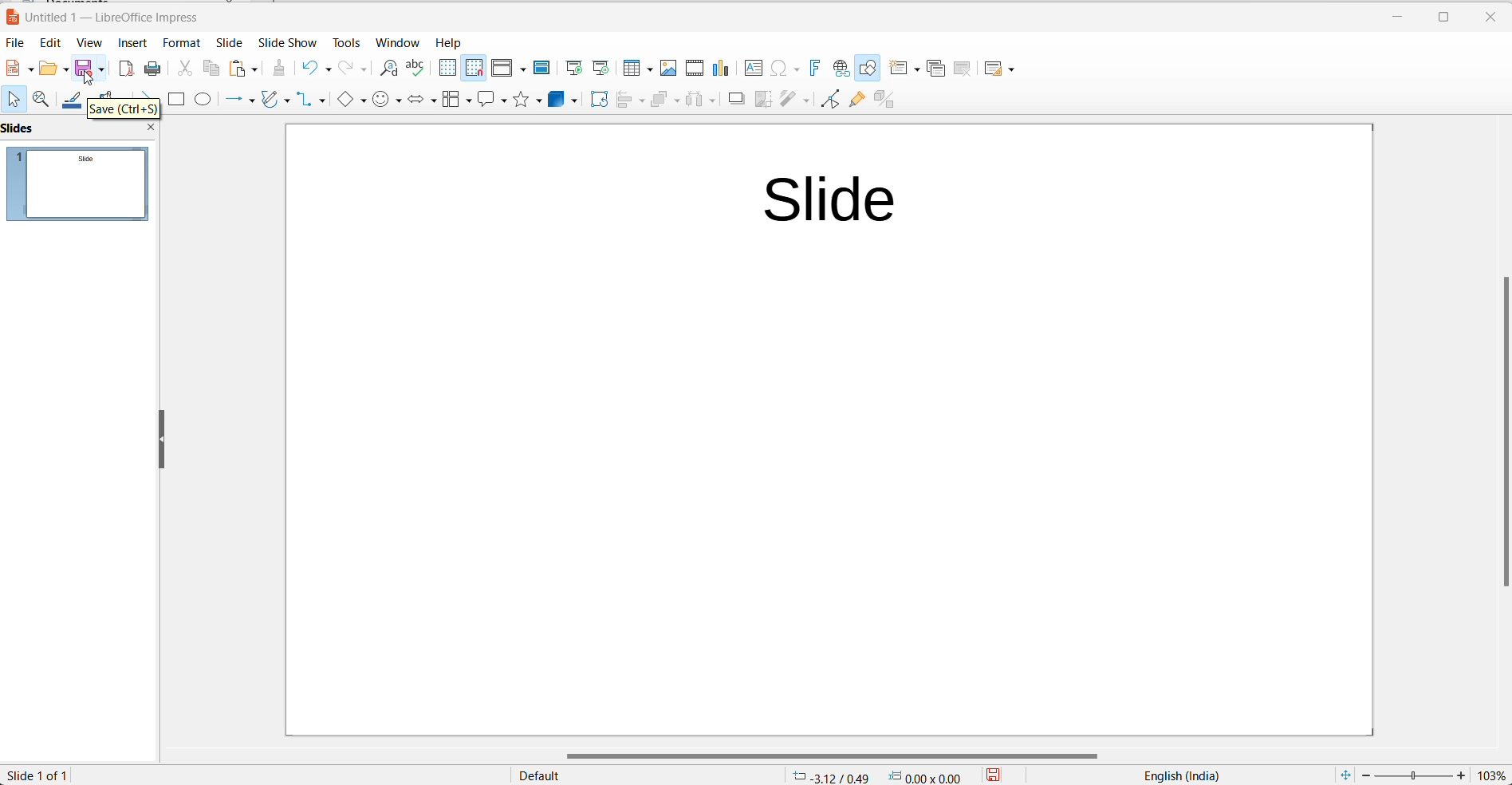 This screenshot has height=785, width=1512. Describe the element at coordinates (1005, 67) in the screenshot. I see `slide layout` at that location.